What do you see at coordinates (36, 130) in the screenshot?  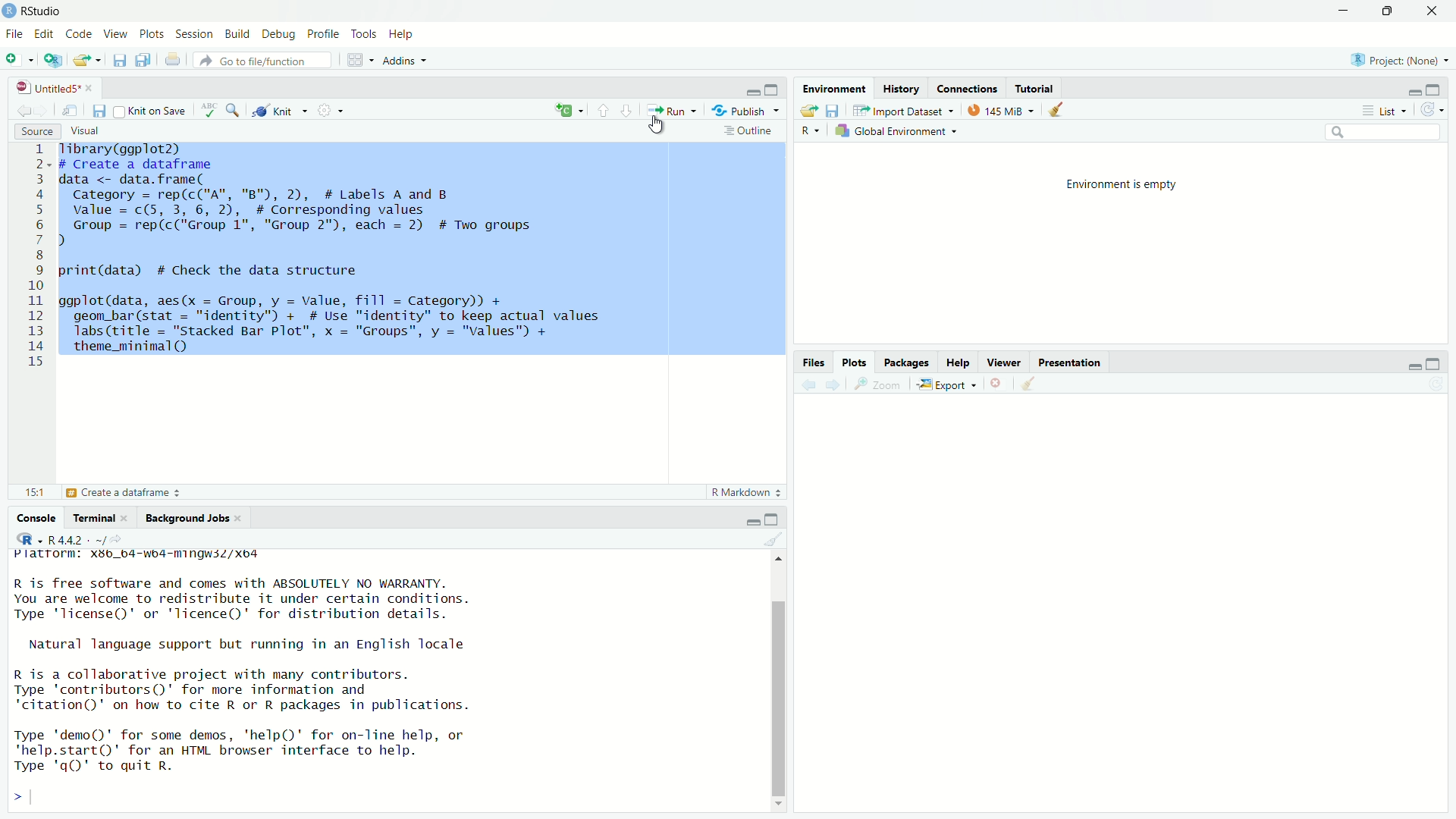 I see `Source` at bounding box center [36, 130].